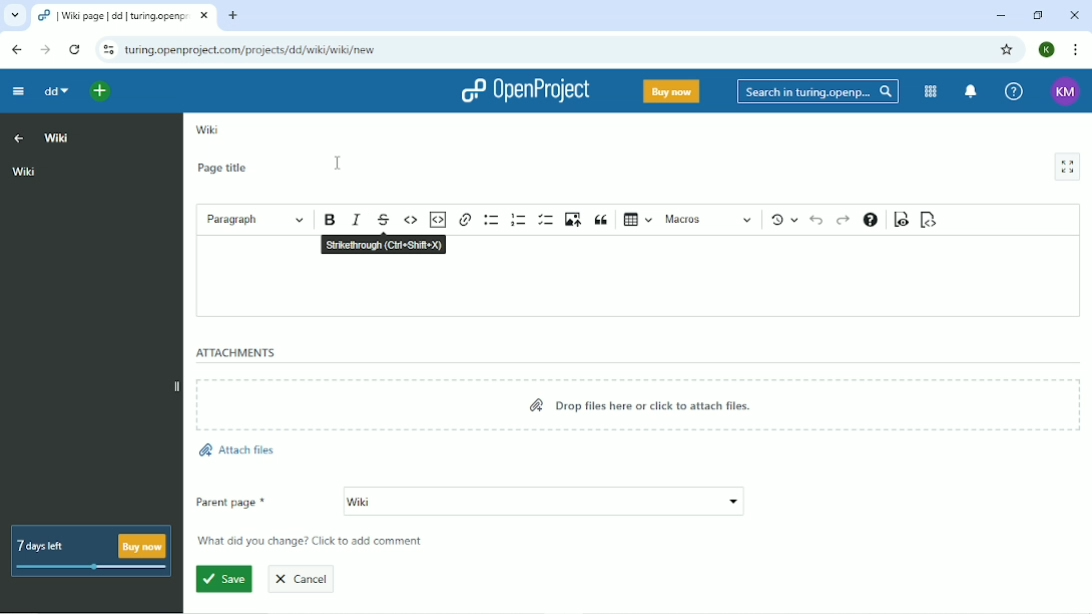 The image size is (1092, 614). Describe the element at coordinates (819, 91) in the screenshot. I see `Search` at that location.